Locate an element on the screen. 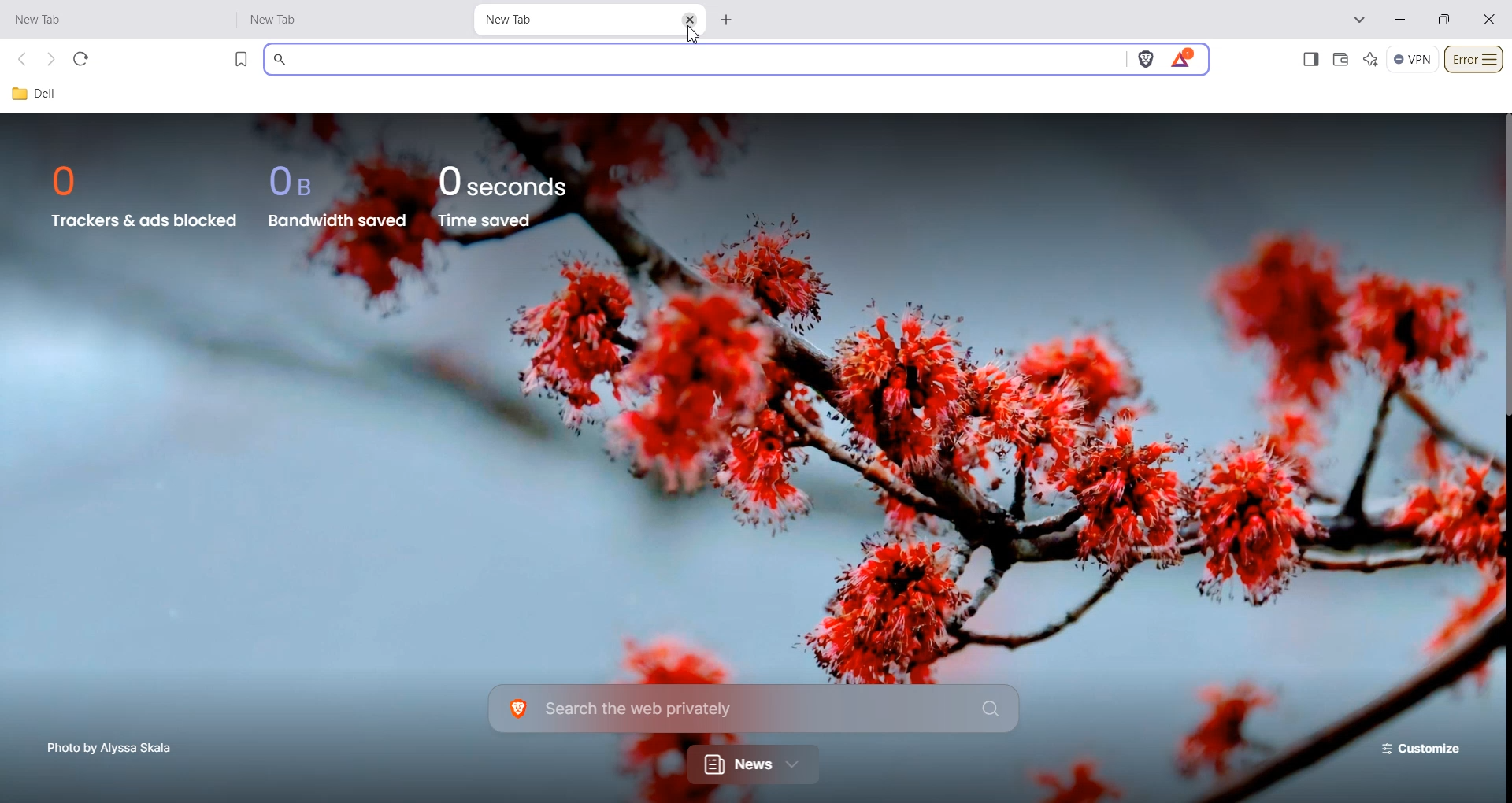 The height and width of the screenshot is (803, 1512). Brave shields is located at coordinates (1146, 60).